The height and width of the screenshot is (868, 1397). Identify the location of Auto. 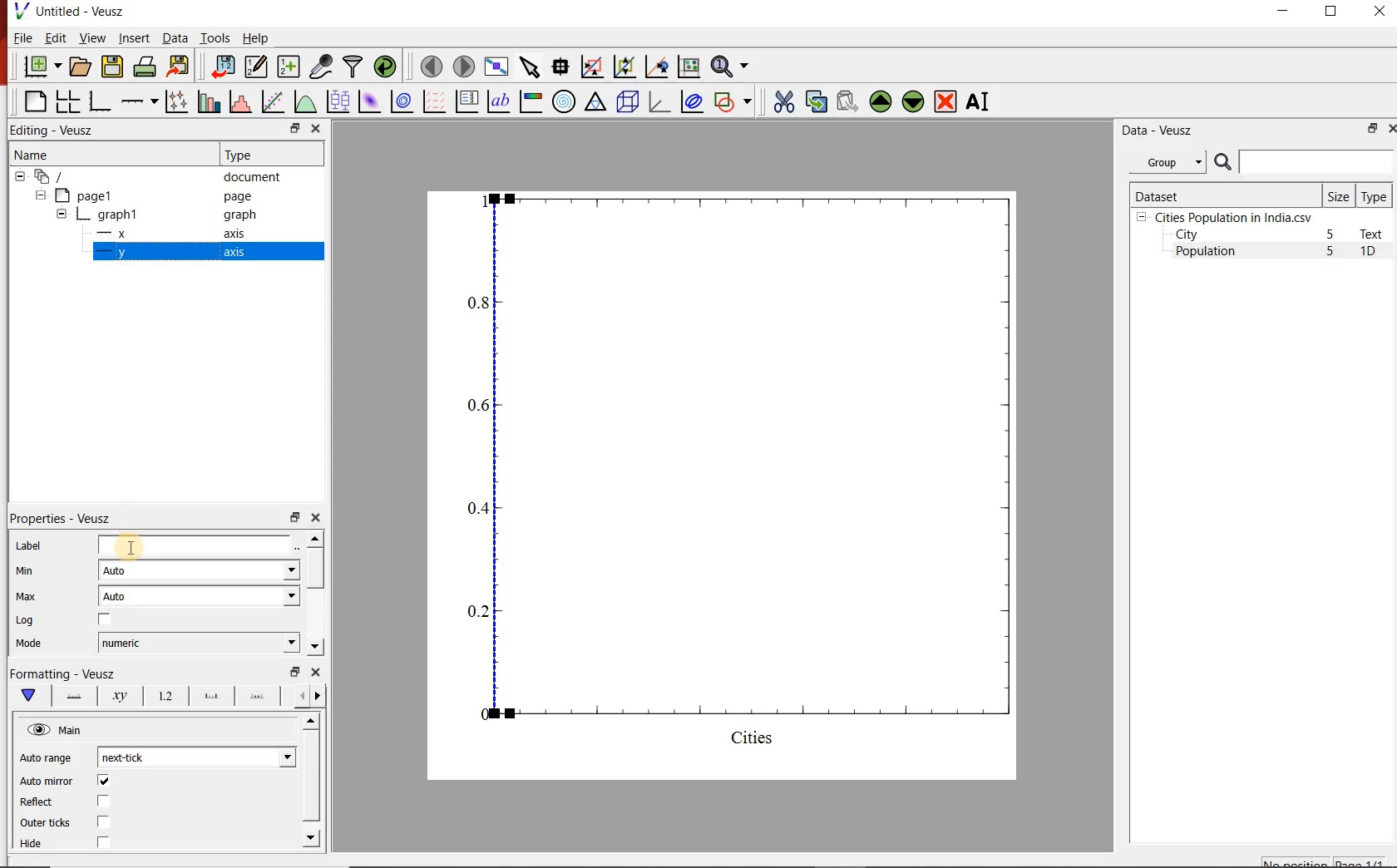
(200, 570).